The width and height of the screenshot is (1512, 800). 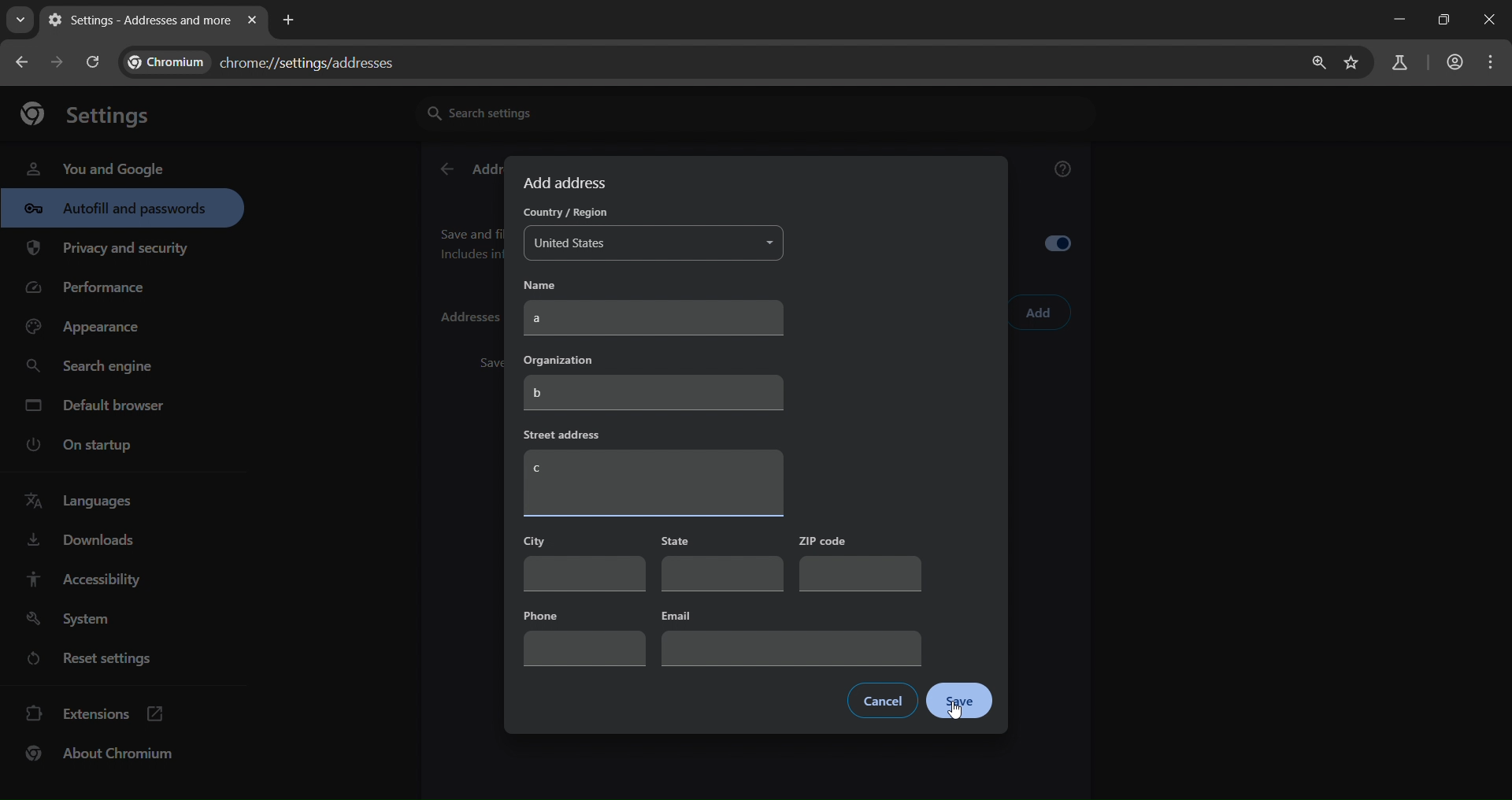 What do you see at coordinates (552, 284) in the screenshot?
I see `name` at bounding box center [552, 284].